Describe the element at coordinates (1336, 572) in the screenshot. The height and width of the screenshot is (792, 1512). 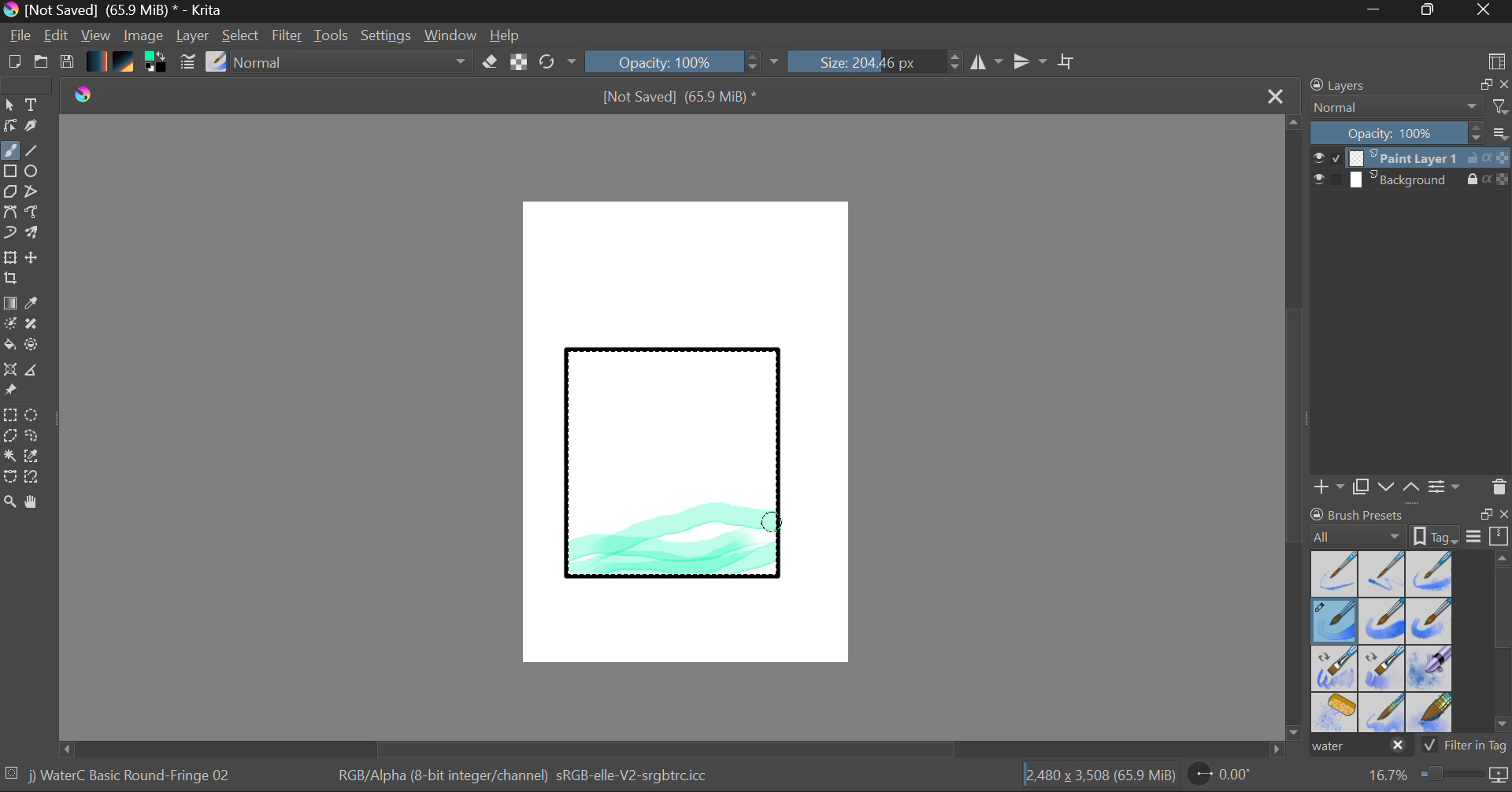
I see `Water C - Dry` at that location.